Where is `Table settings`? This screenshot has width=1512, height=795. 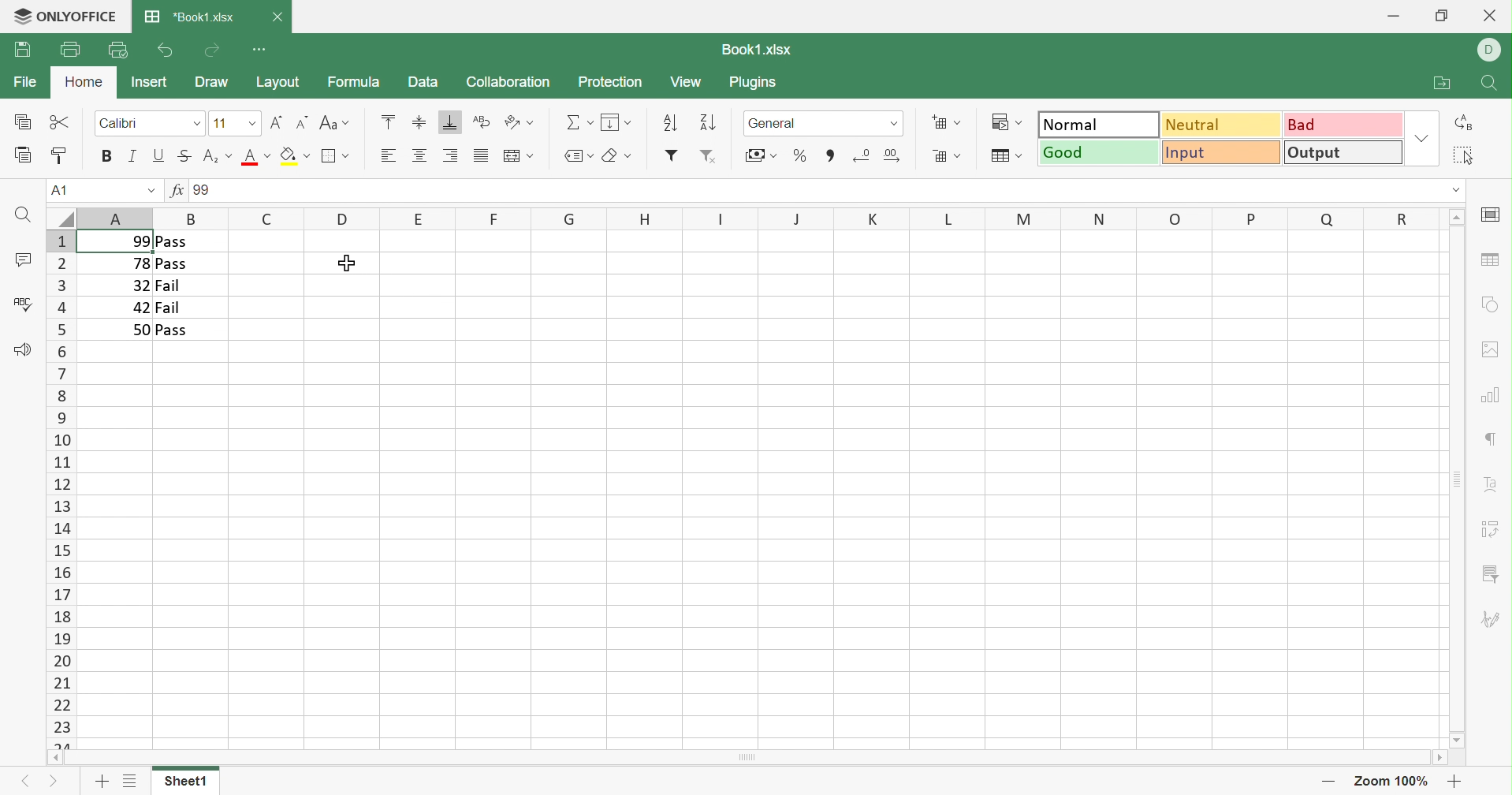
Table settings is located at coordinates (1489, 259).